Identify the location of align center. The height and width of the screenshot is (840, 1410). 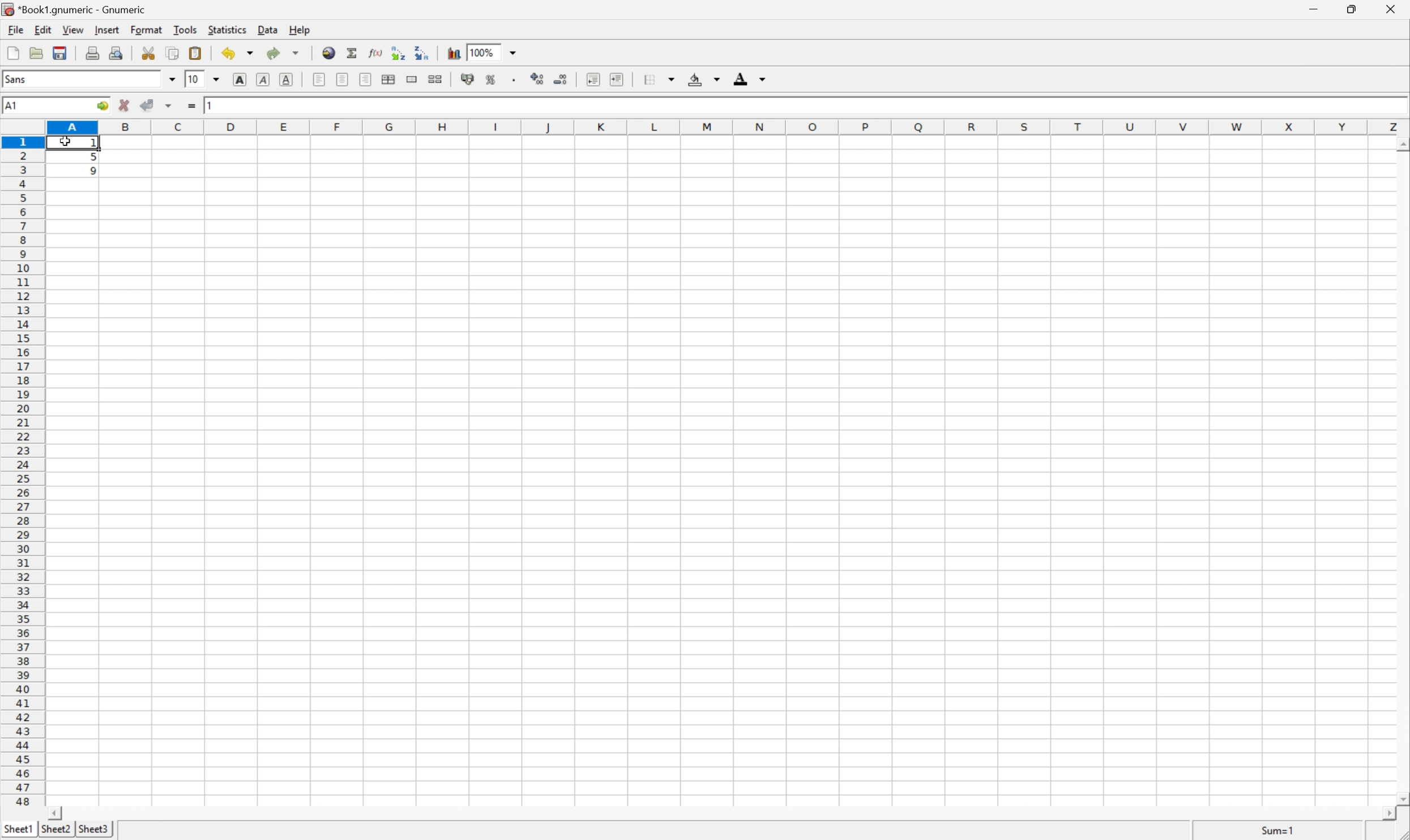
(343, 79).